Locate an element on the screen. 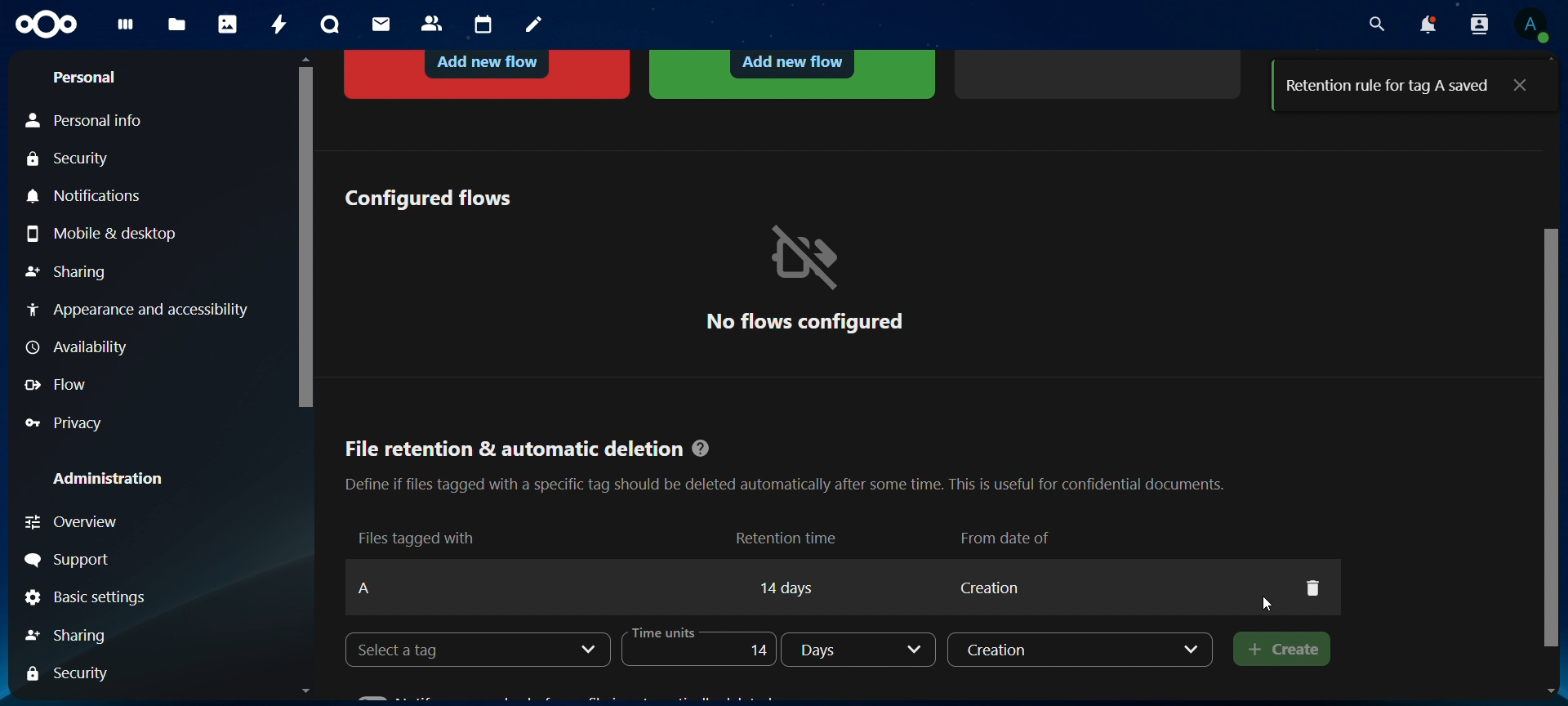 This screenshot has height=706, width=1568. create is located at coordinates (1277, 649).